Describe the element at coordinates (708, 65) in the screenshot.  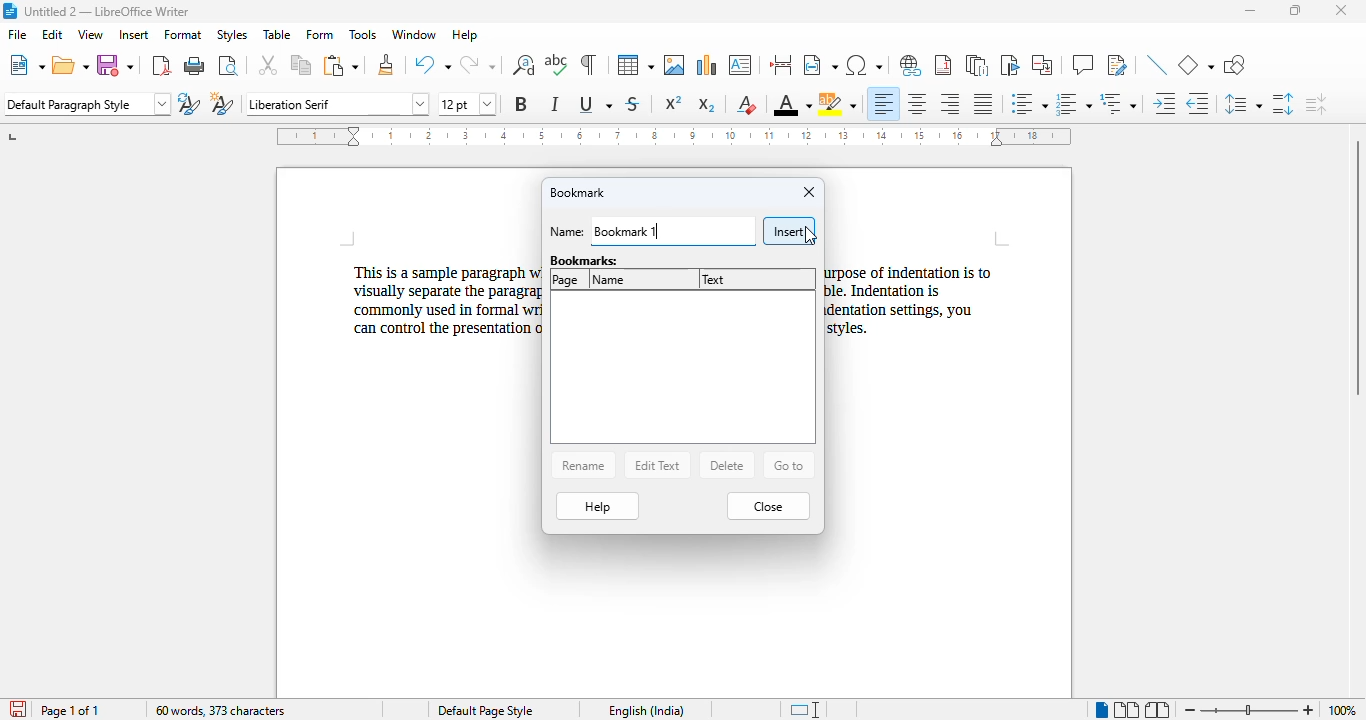
I see `insert chart` at that location.